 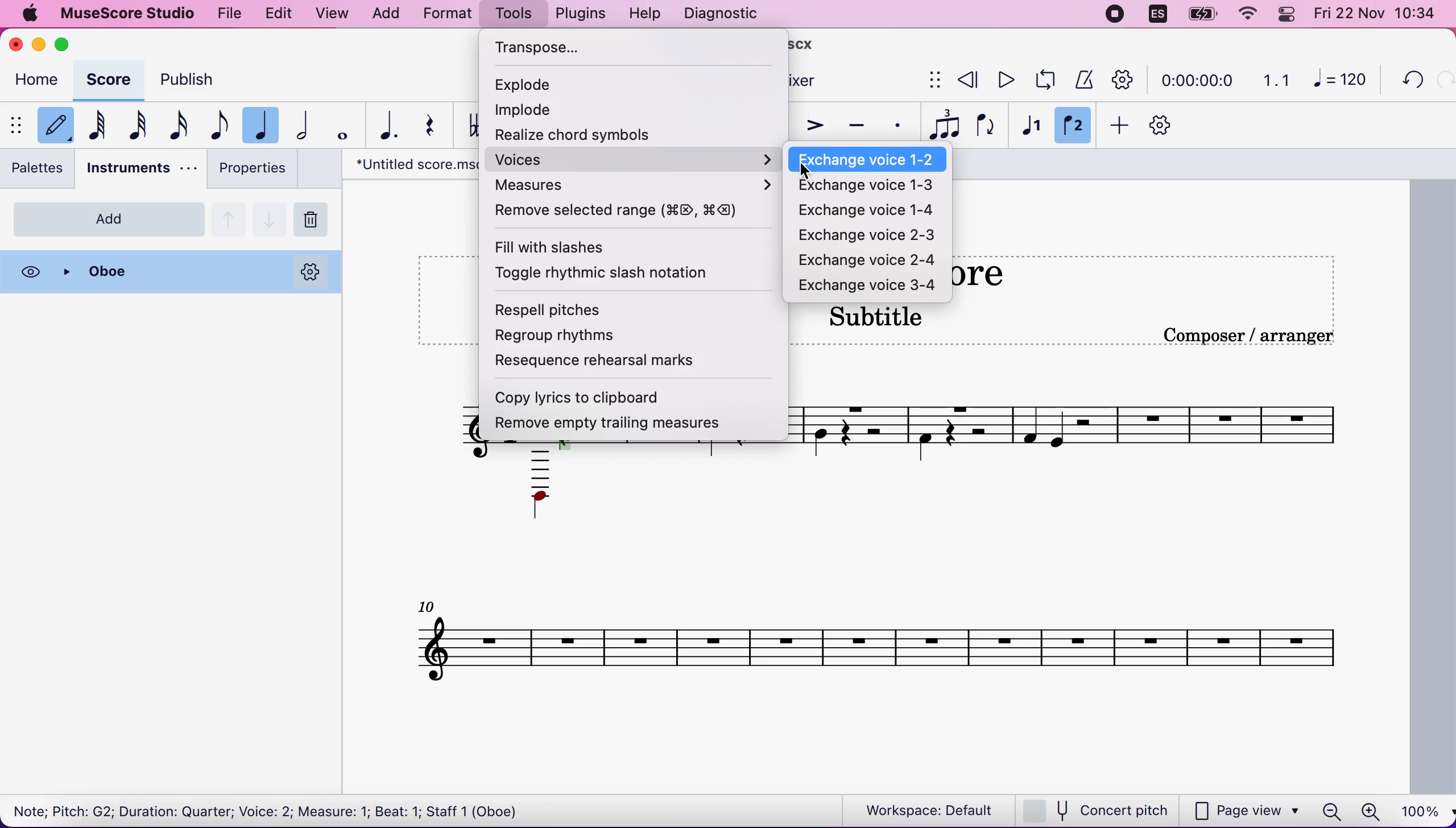 I want to click on panel control, so click(x=1285, y=14).